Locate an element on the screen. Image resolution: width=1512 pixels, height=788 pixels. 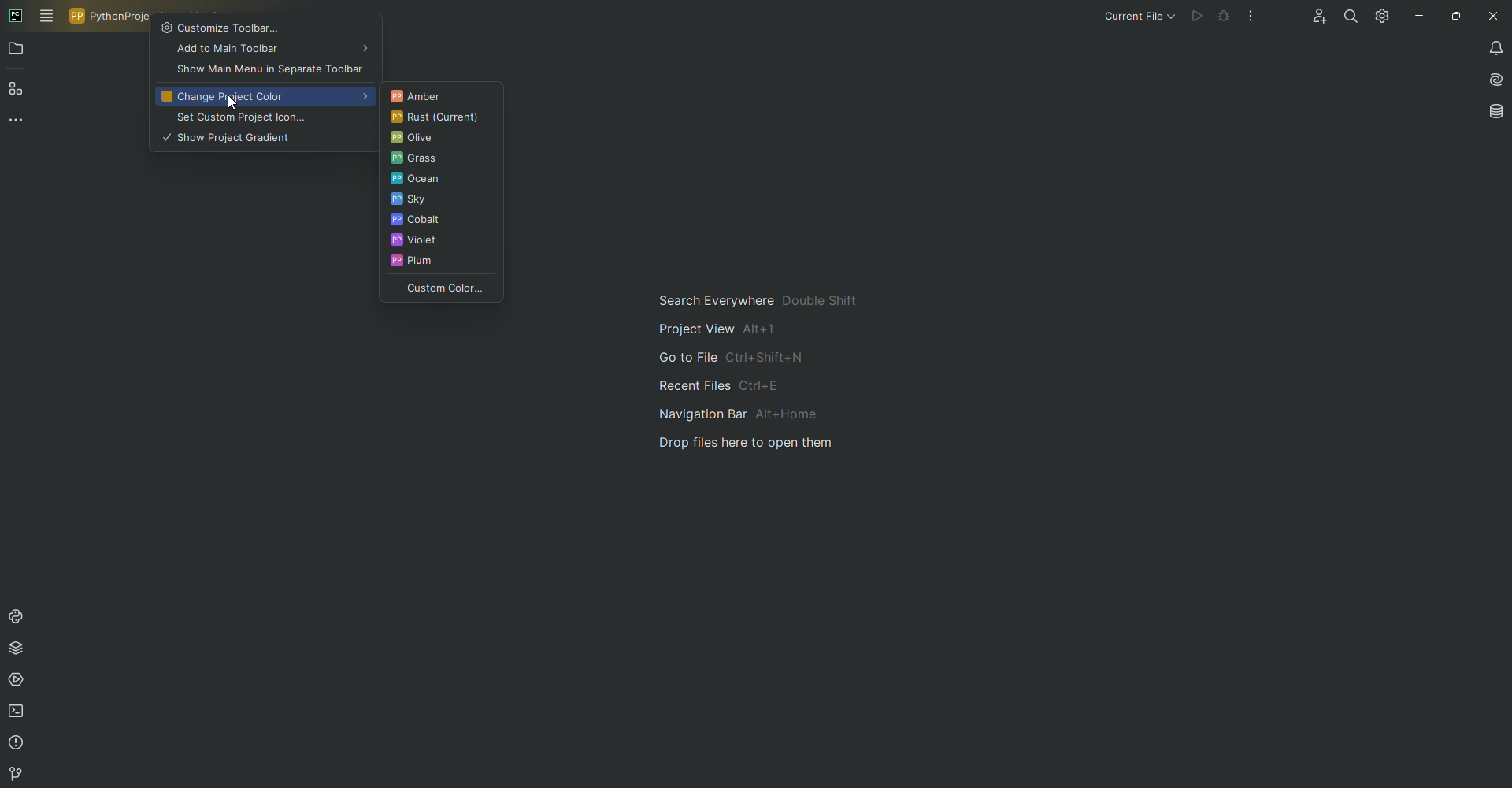
AI is located at coordinates (1493, 80).